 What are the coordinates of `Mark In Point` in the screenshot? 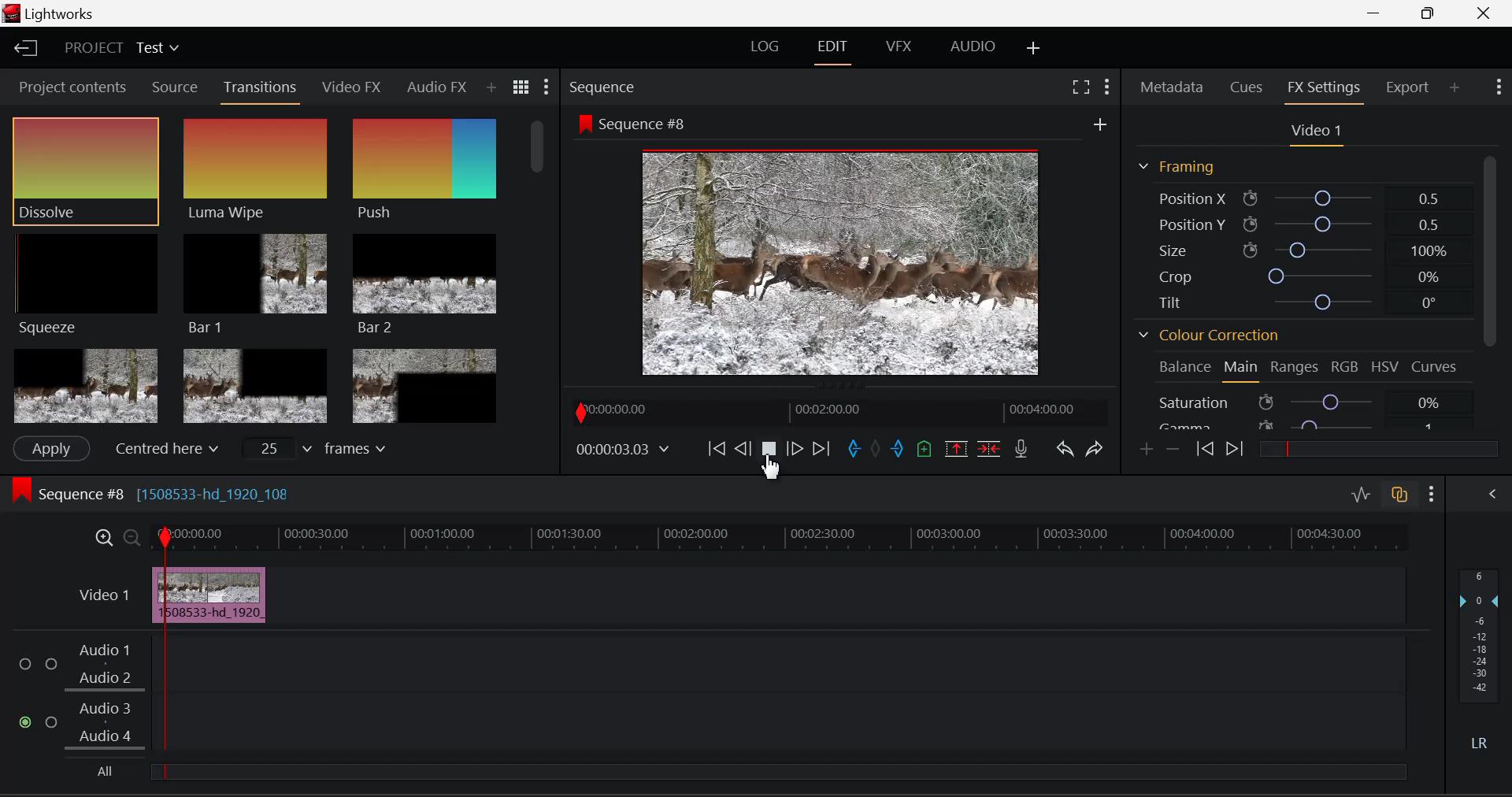 It's located at (854, 451).